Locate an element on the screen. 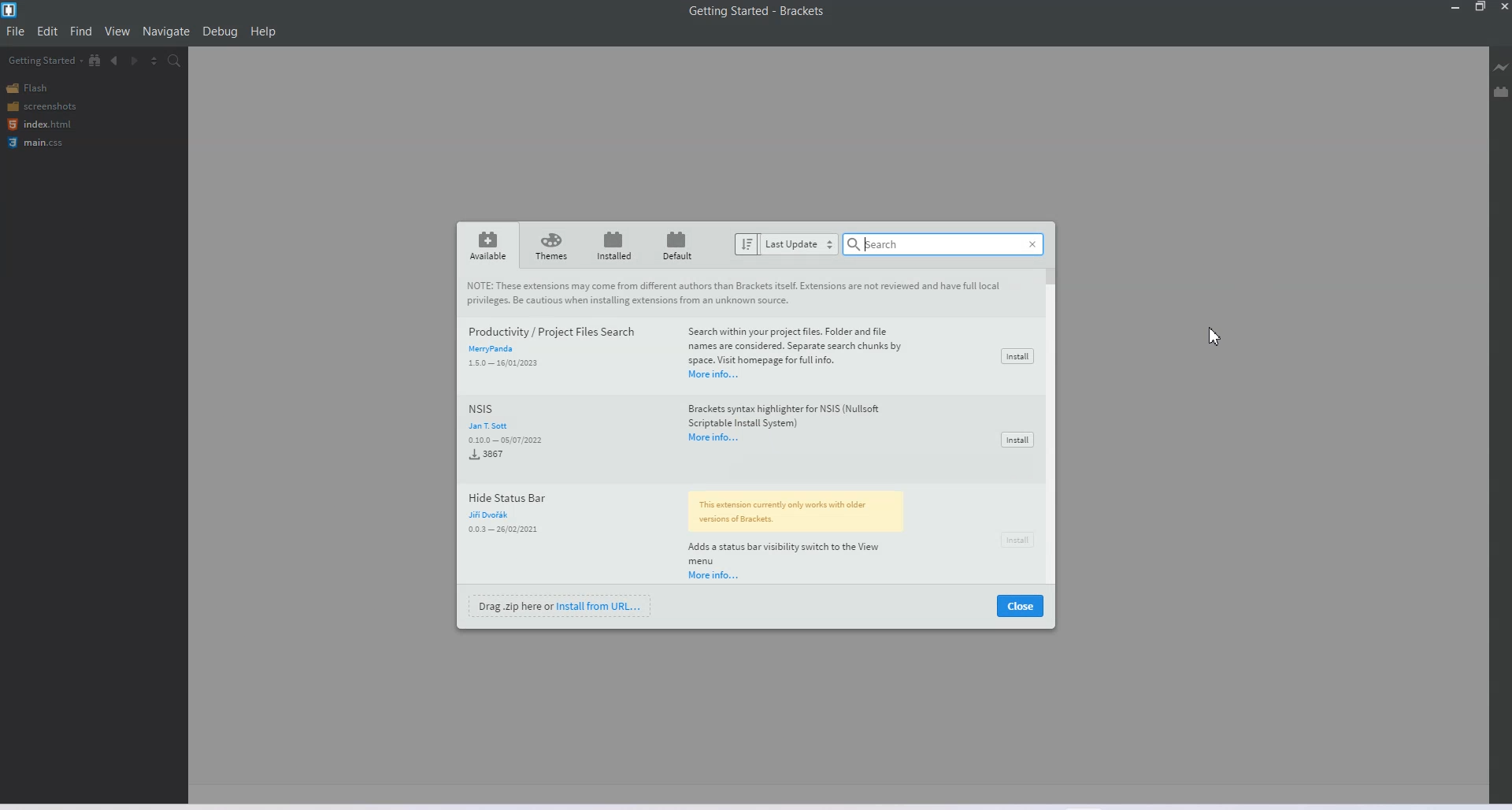 The image size is (1512, 810). cursor is located at coordinates (1211, 337).